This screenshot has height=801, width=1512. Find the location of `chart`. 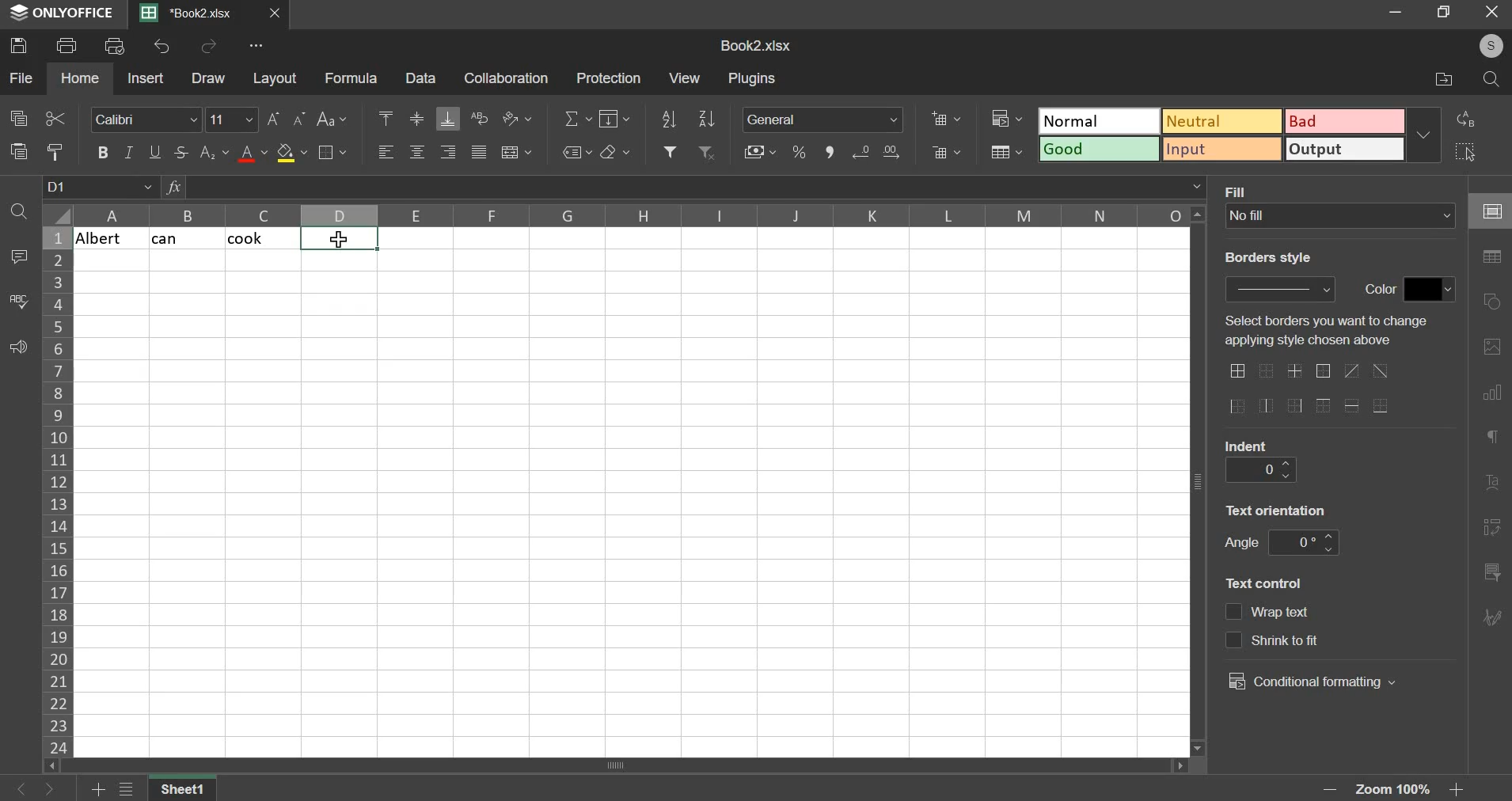

chart is located at coordinates (1491, 396).